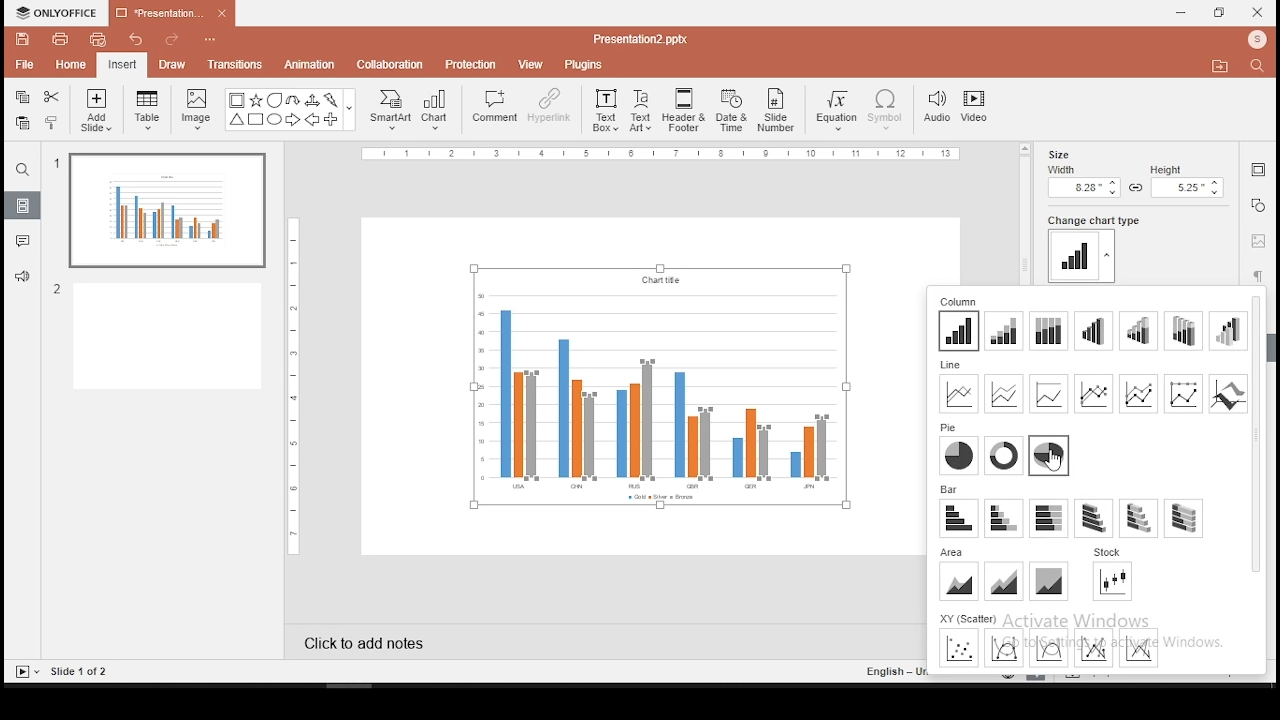  I want to click on audio, so click(937, 107).